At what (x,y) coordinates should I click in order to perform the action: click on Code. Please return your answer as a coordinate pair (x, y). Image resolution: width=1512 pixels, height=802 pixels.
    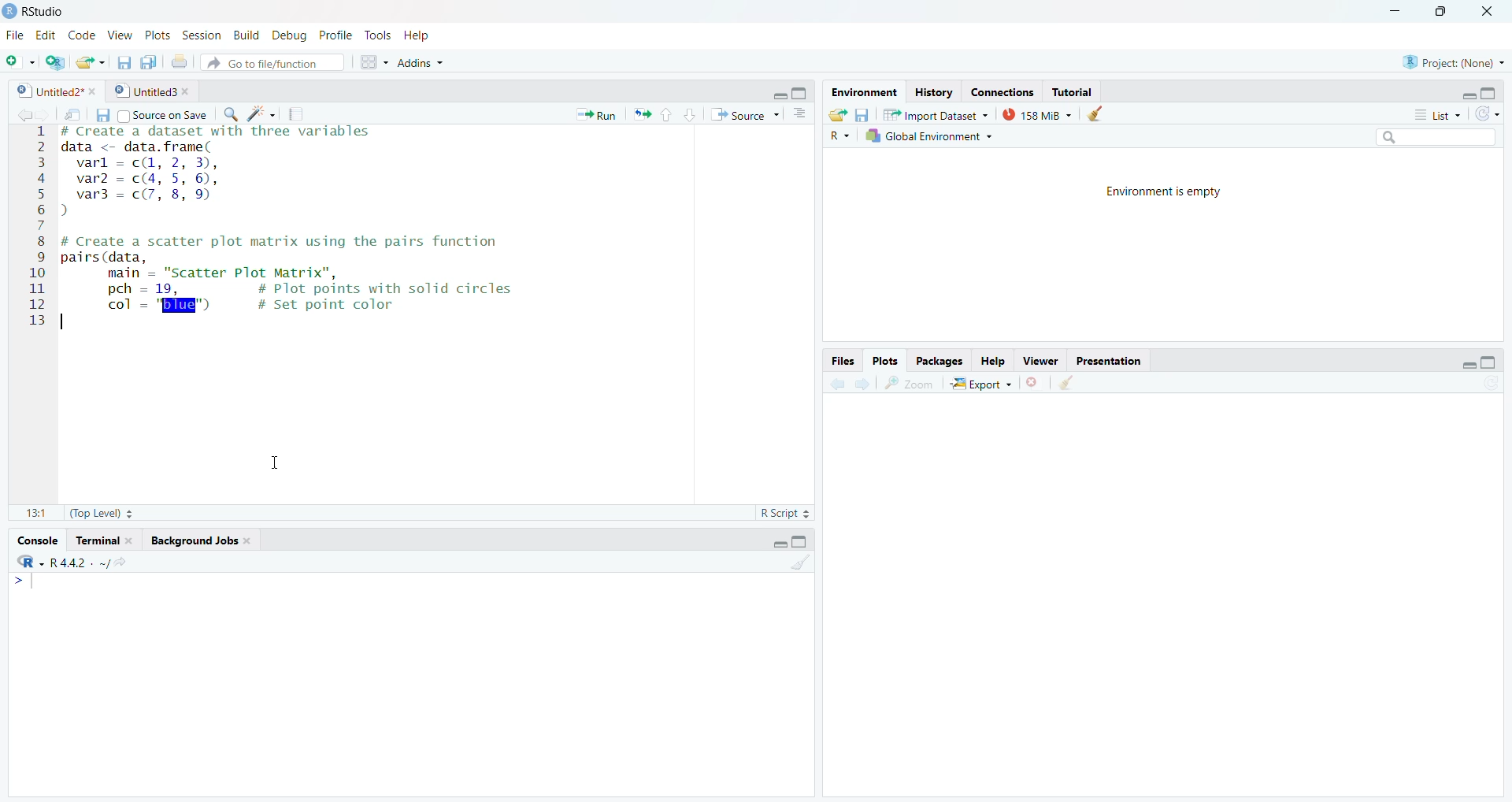
    Looking at the image, I should click on (83, 34).